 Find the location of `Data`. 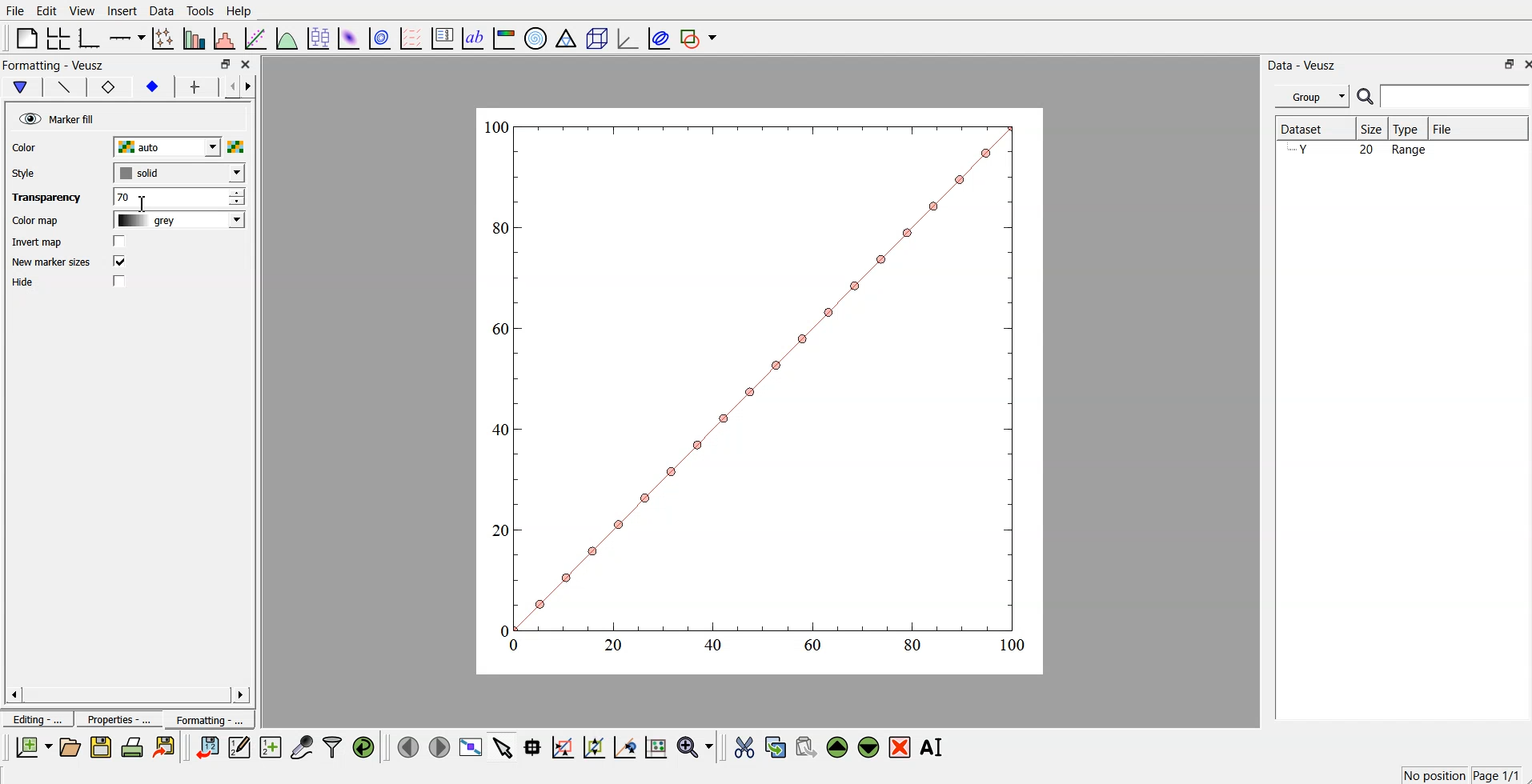

Data is located at coordinates (162, 10).